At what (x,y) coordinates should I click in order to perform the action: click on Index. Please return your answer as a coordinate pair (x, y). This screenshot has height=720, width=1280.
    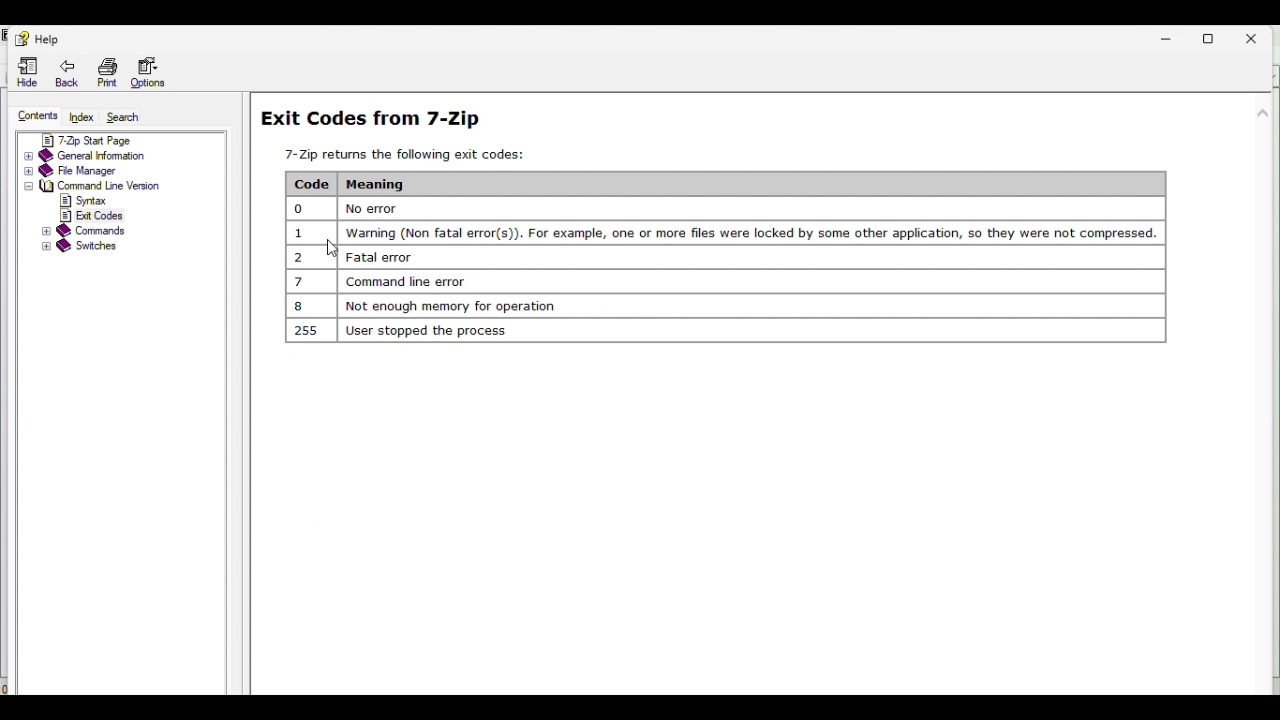
    Looking at the image, I should click on (83, 117).